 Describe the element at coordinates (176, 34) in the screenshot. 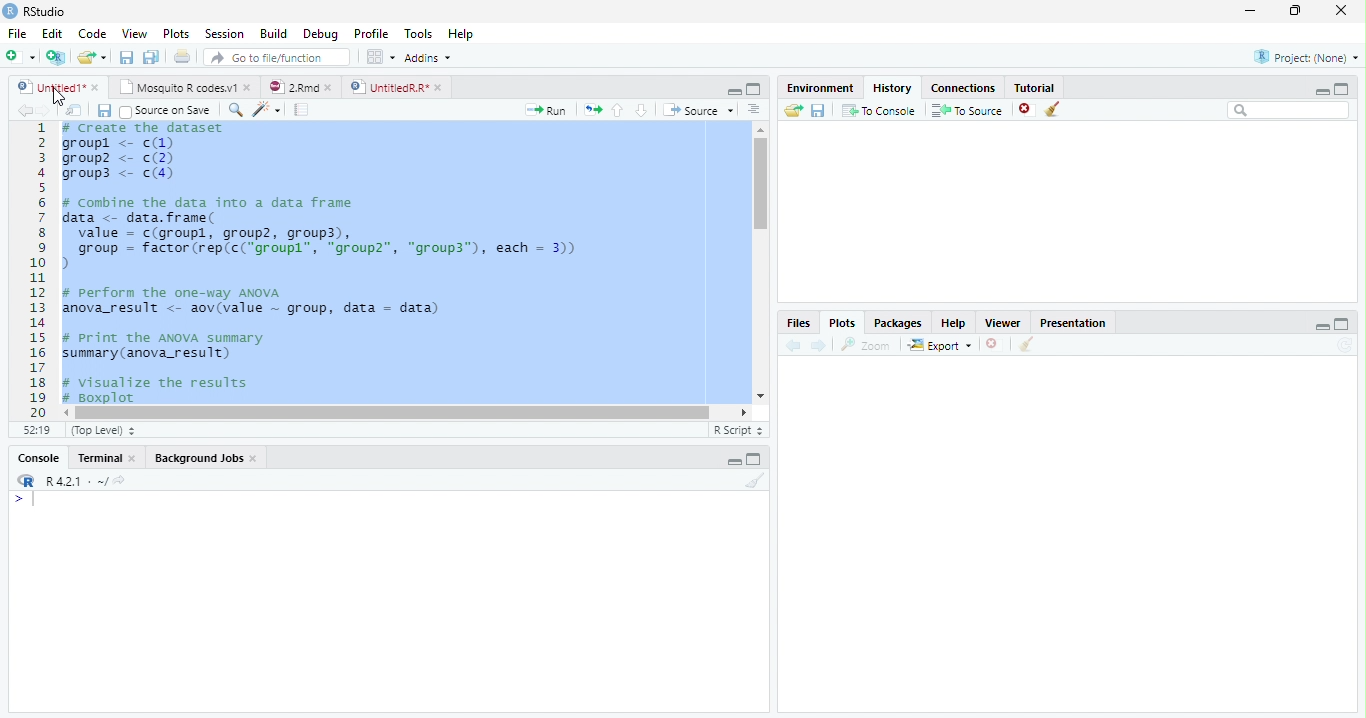

I see `Plots` at that location.